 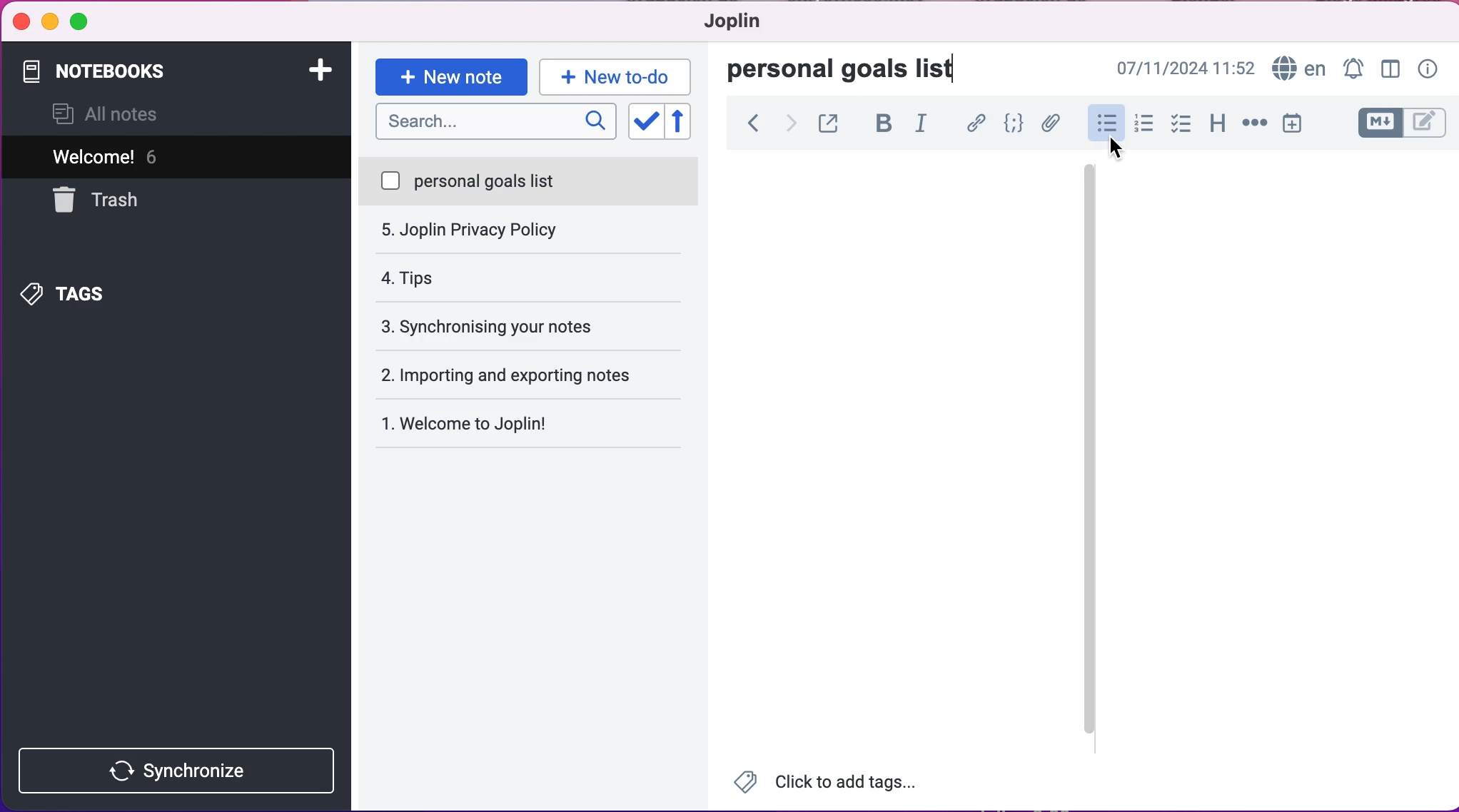 What do you see at coordinates (131, 200) in the screenshot?
I see `trash` at bounding box center [131, 200].